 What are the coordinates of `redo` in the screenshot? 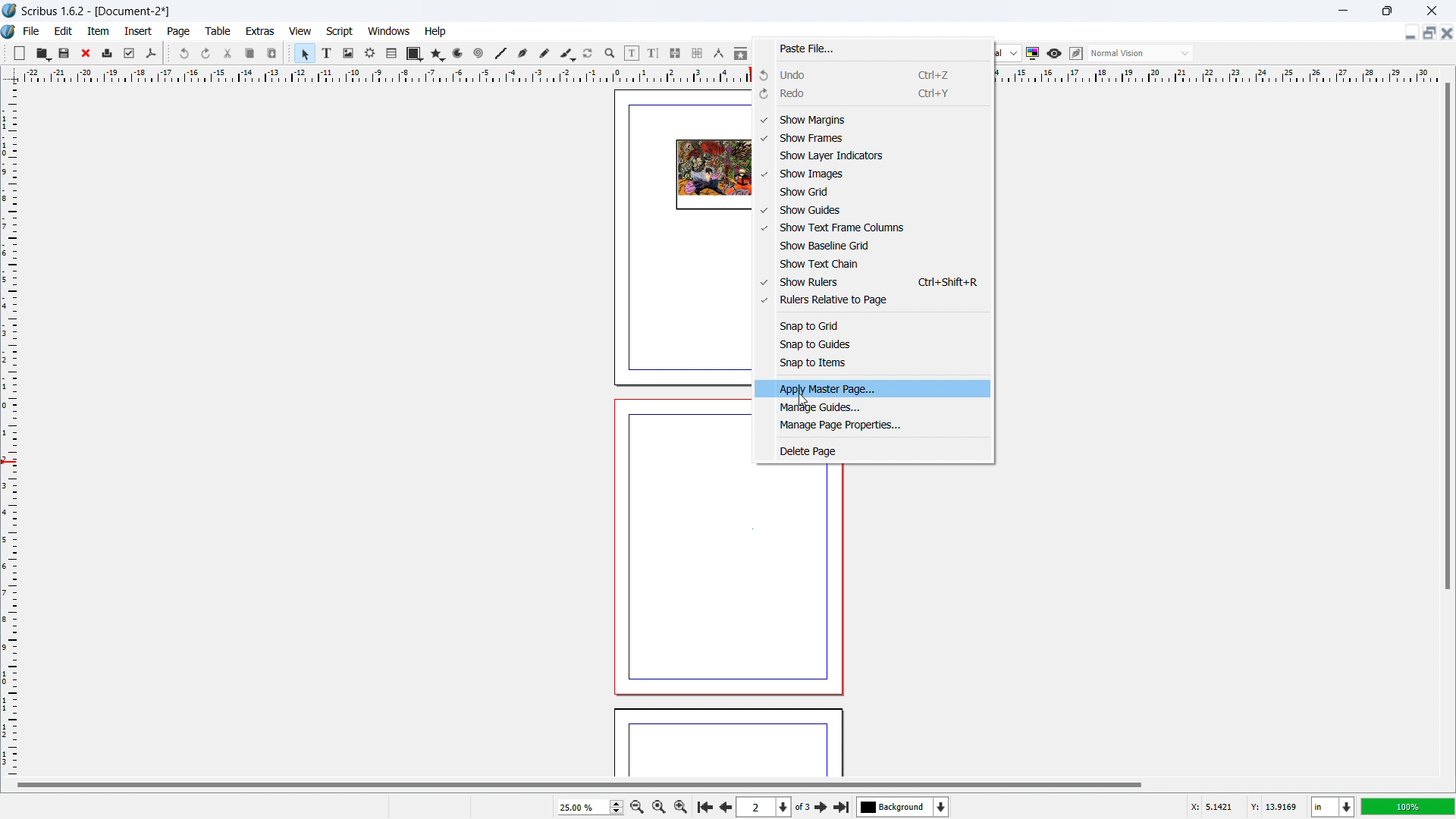 It's located at (872, 94).